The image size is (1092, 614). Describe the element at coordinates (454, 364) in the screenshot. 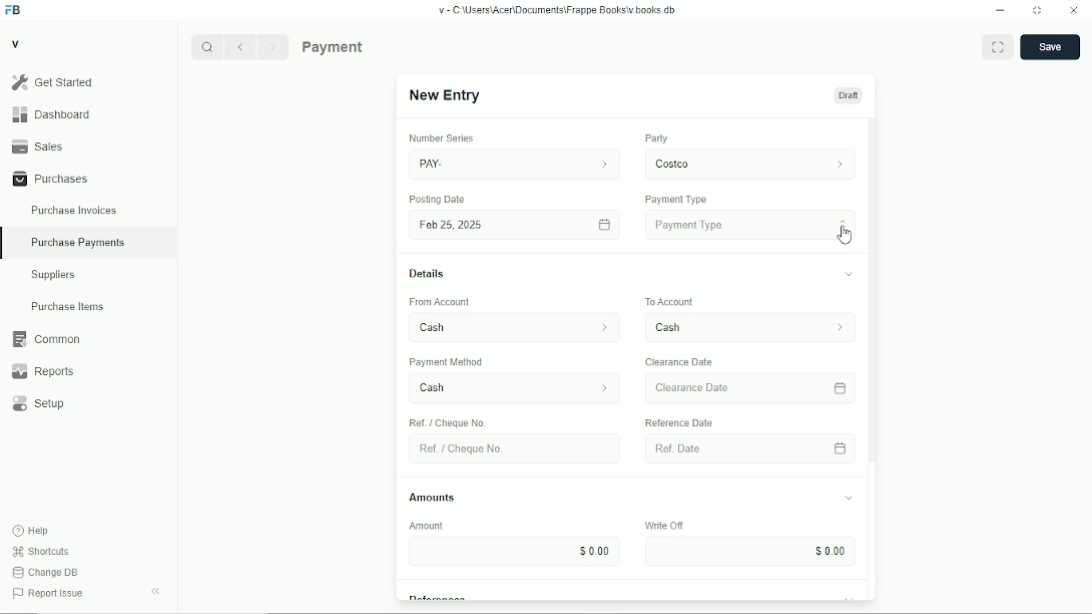

I see `‘Payment Method` at that location.